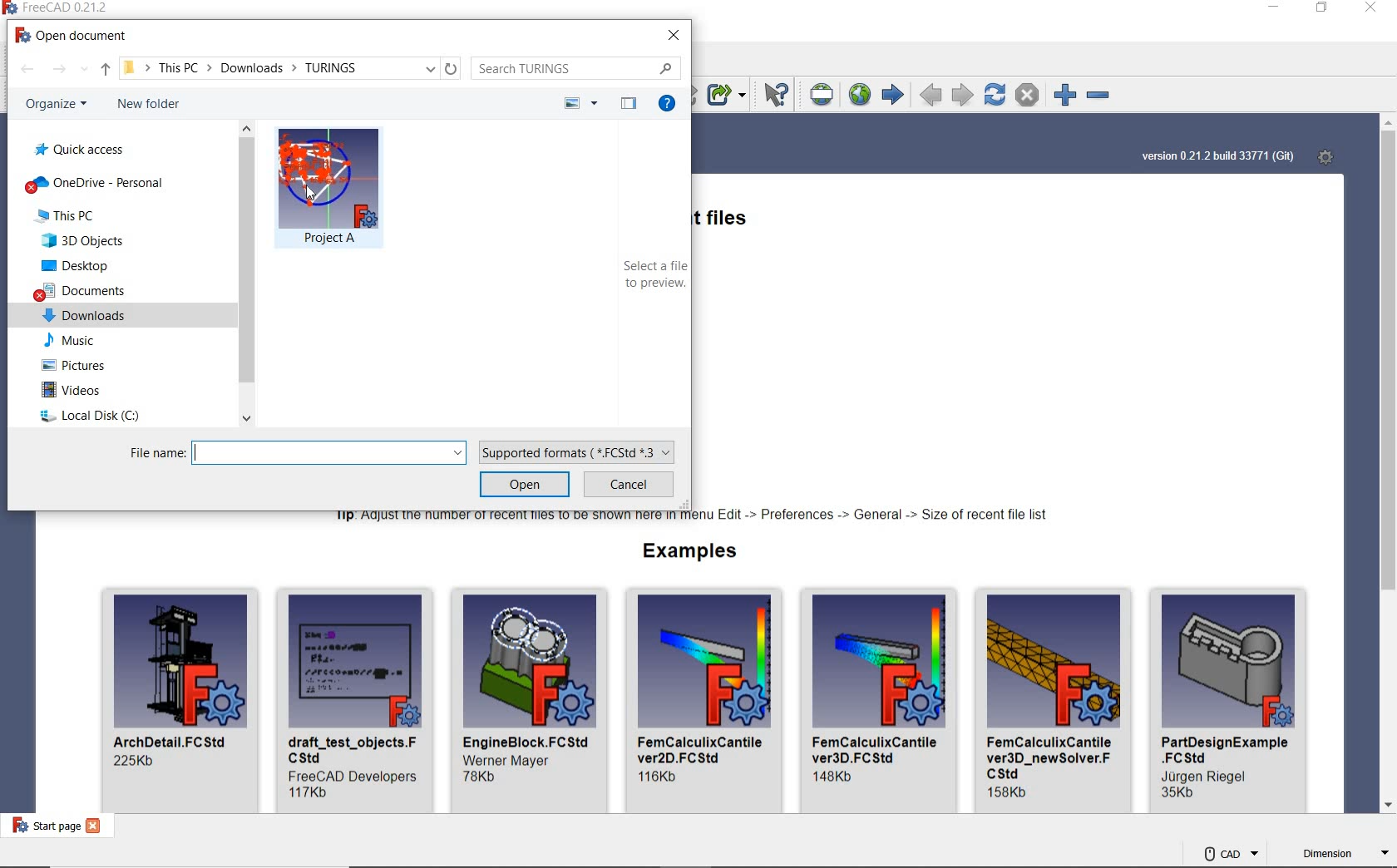  Describe the element at coordinates (1010, 793) in the screenshot. I see `size` at that location.